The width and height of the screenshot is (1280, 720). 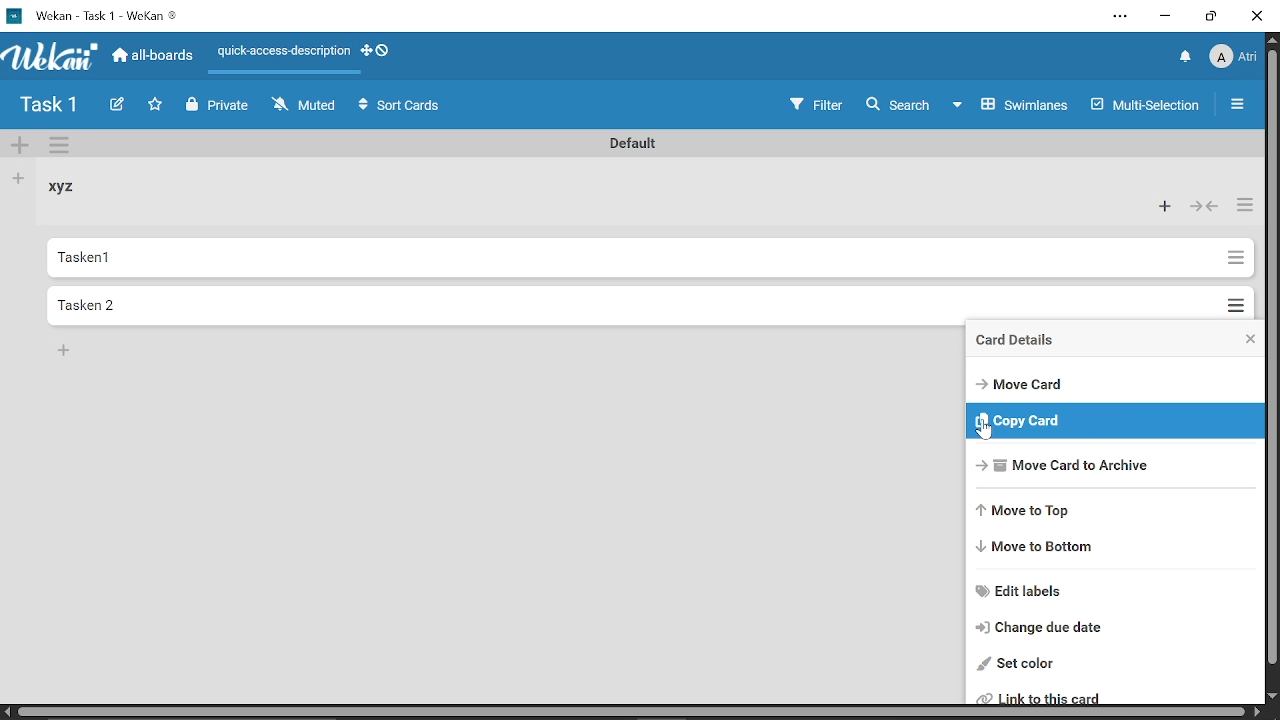 I want to click on manage card, so click(x=1234, y=300).